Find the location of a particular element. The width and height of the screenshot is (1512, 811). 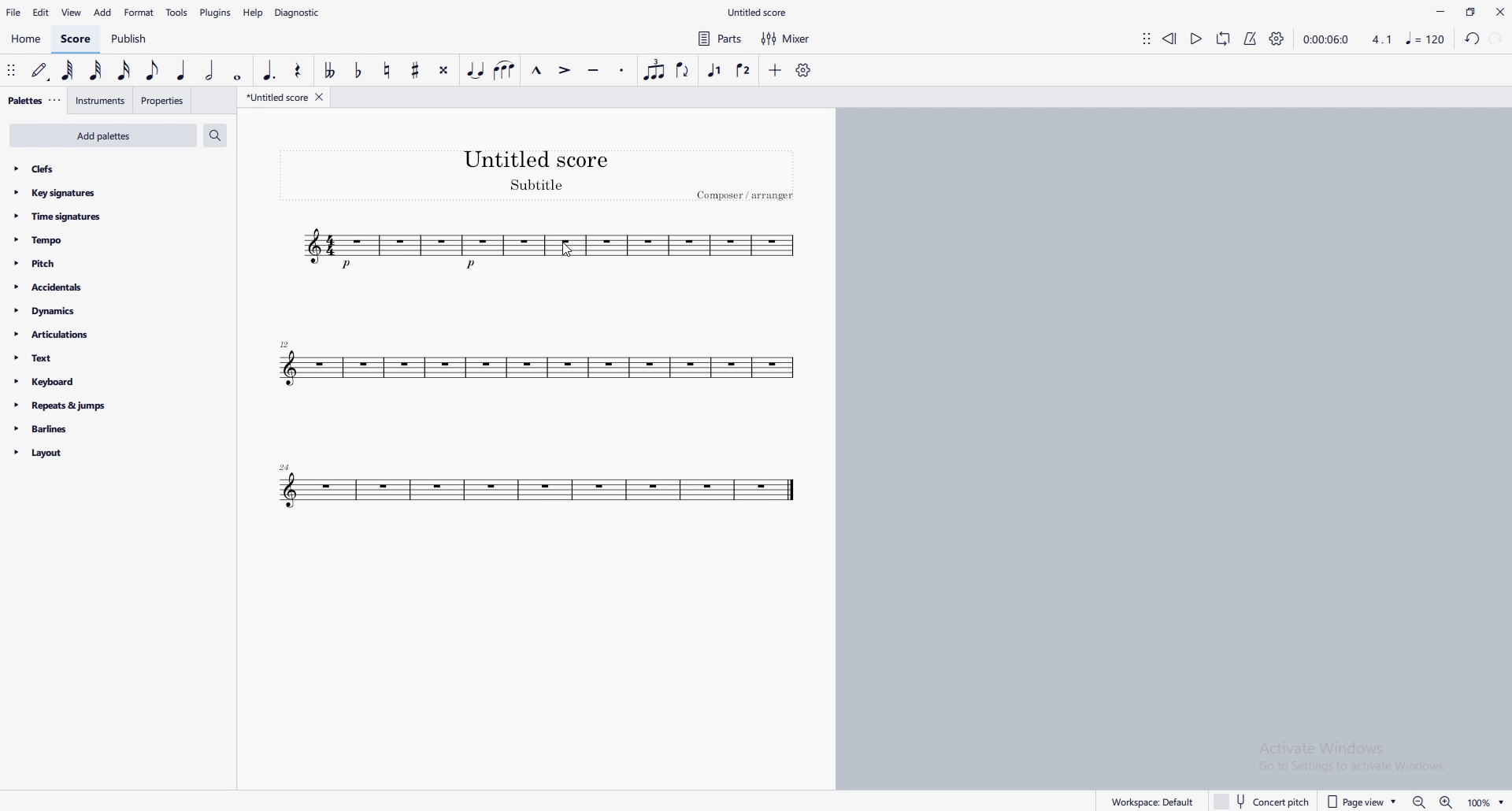

text is located at coordinates (102, 357).